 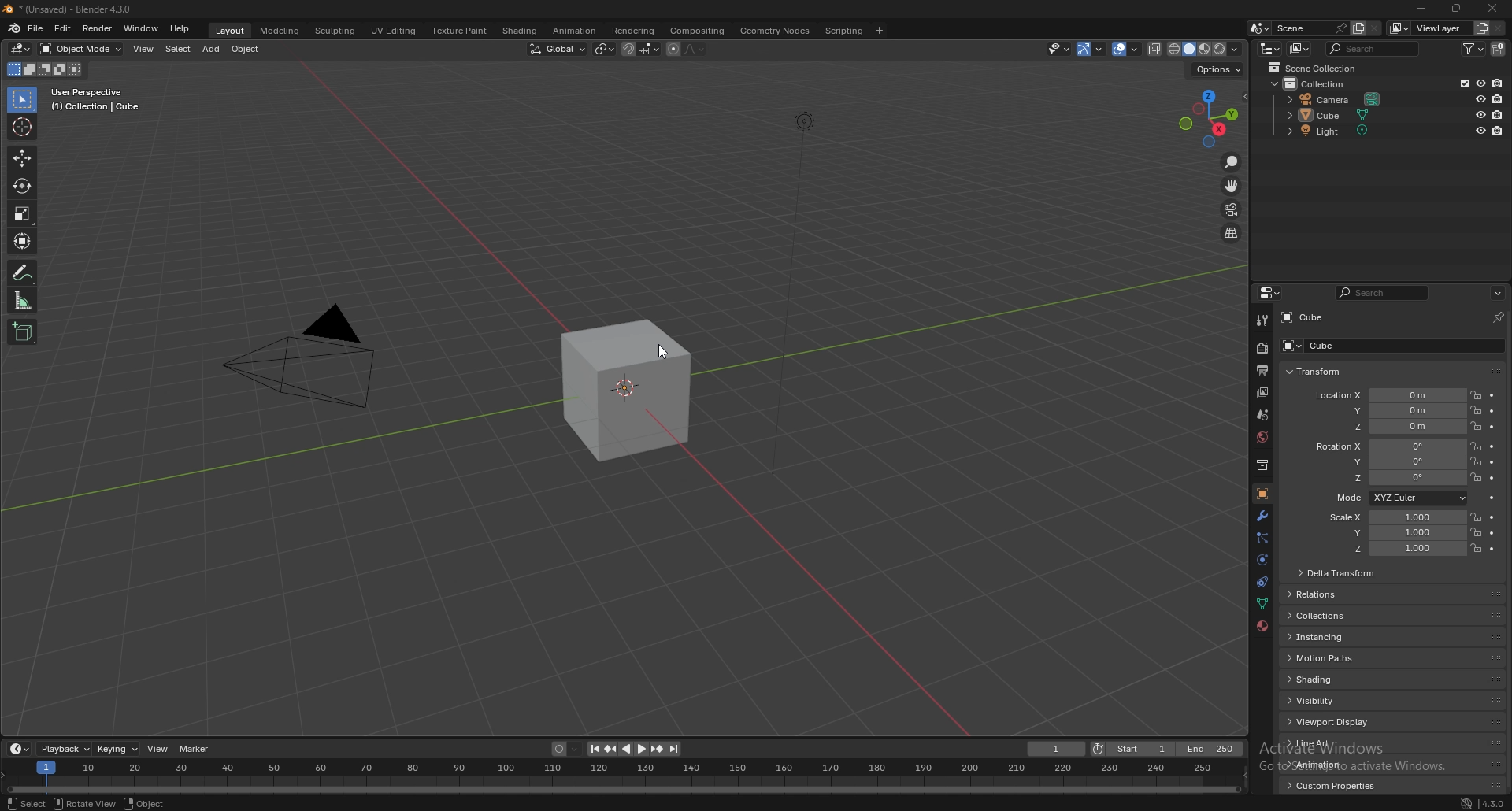 What do you see at coordinates (1492, 412) in the screenshot?
I see `animate property` at bounding box center [1492, 412].